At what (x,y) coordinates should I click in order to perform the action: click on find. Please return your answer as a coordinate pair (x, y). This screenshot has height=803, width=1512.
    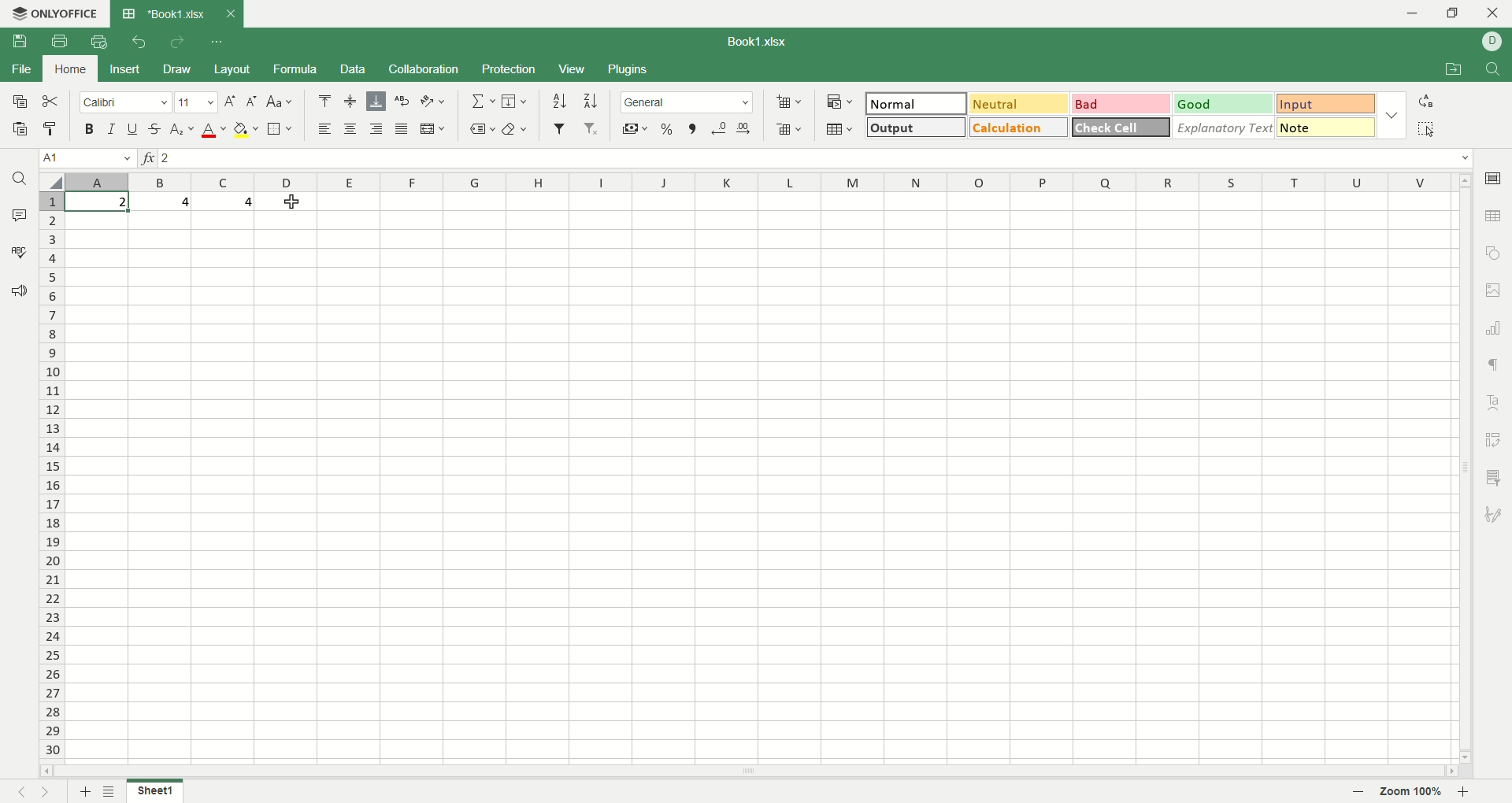
    Looking at the image, I should click on (1495, 69).